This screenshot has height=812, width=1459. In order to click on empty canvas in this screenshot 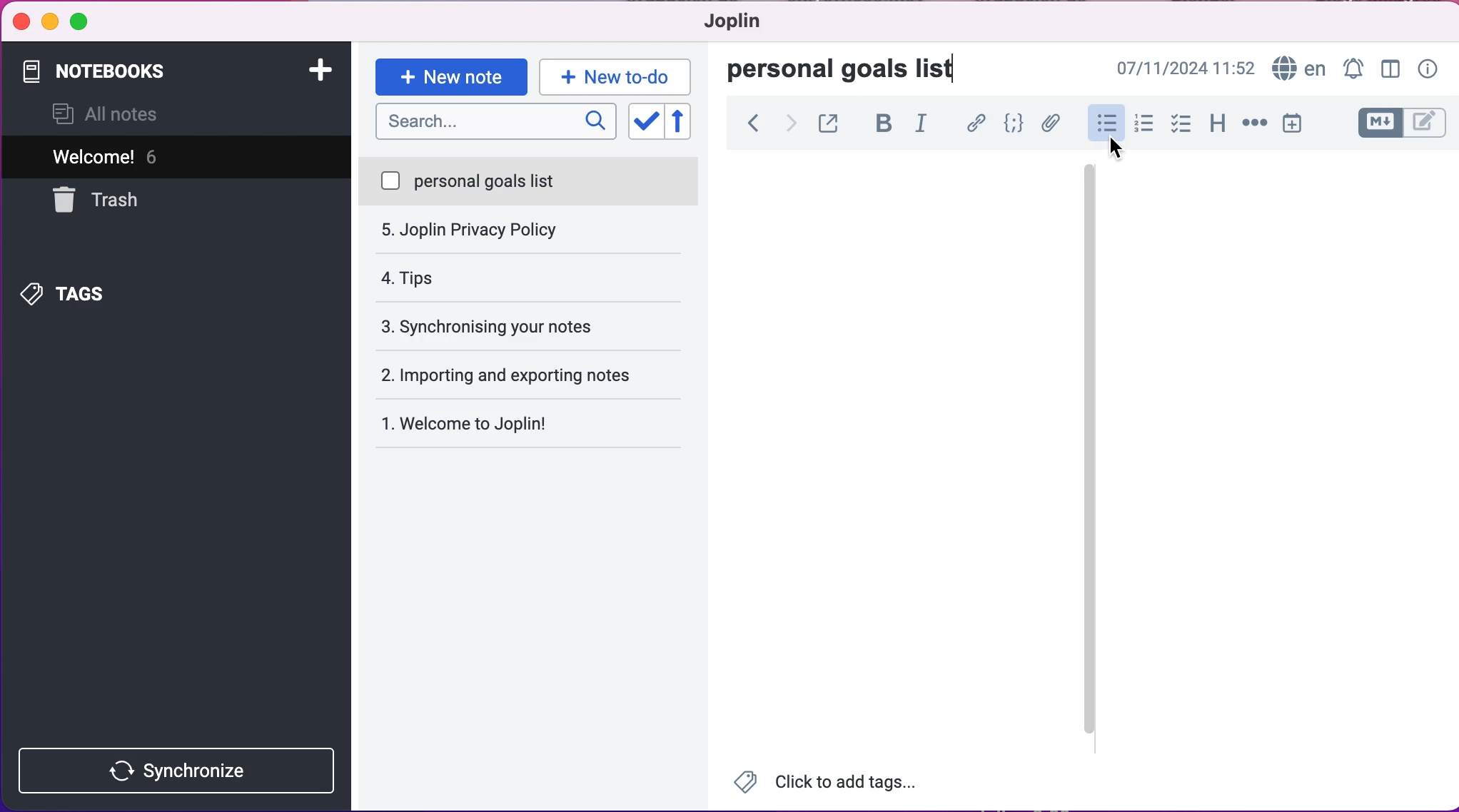, I will do `click(1278, 462)`.